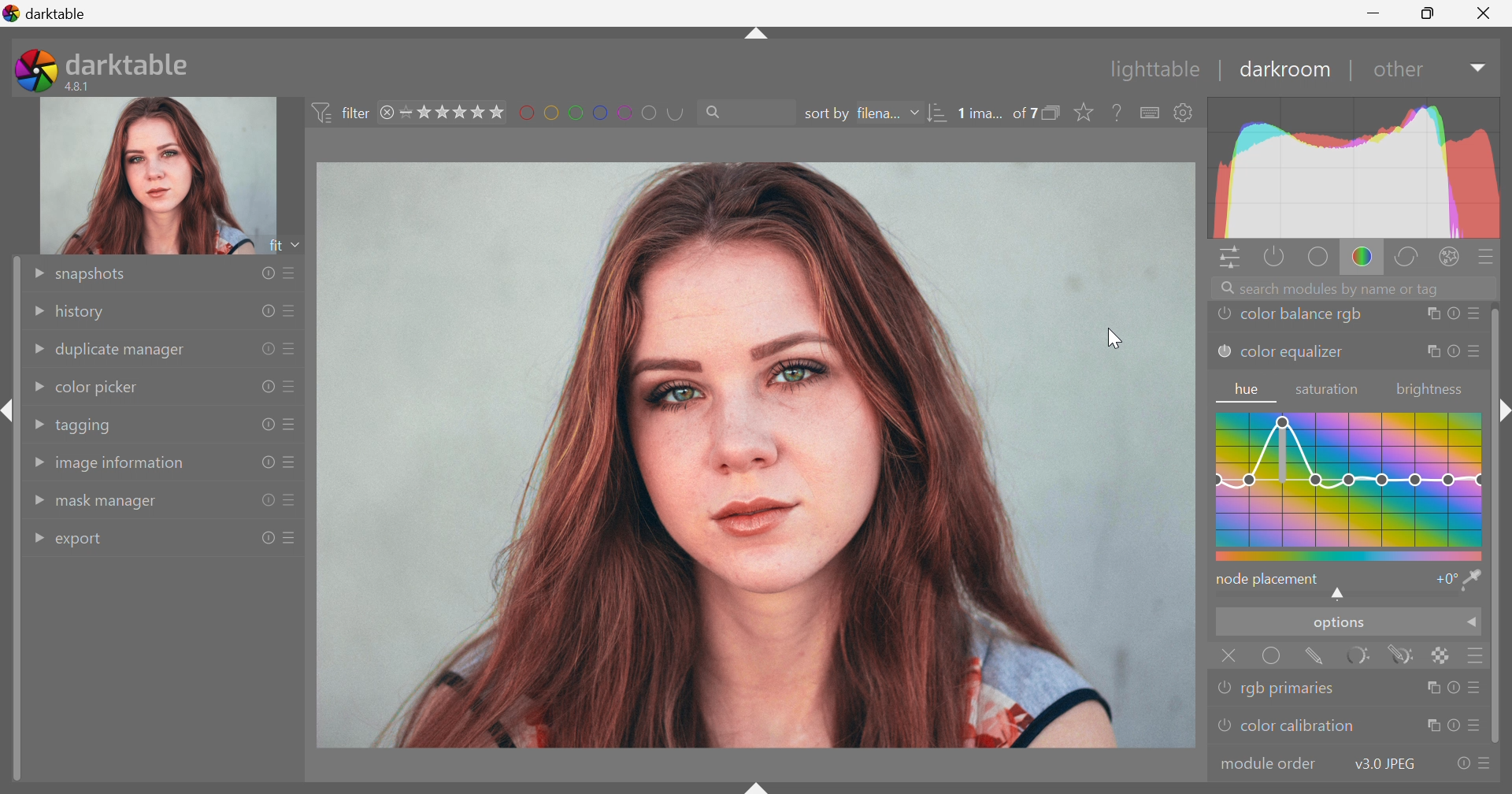 The image size is (1512, 794). I want to click on |, so click(1350, 70).